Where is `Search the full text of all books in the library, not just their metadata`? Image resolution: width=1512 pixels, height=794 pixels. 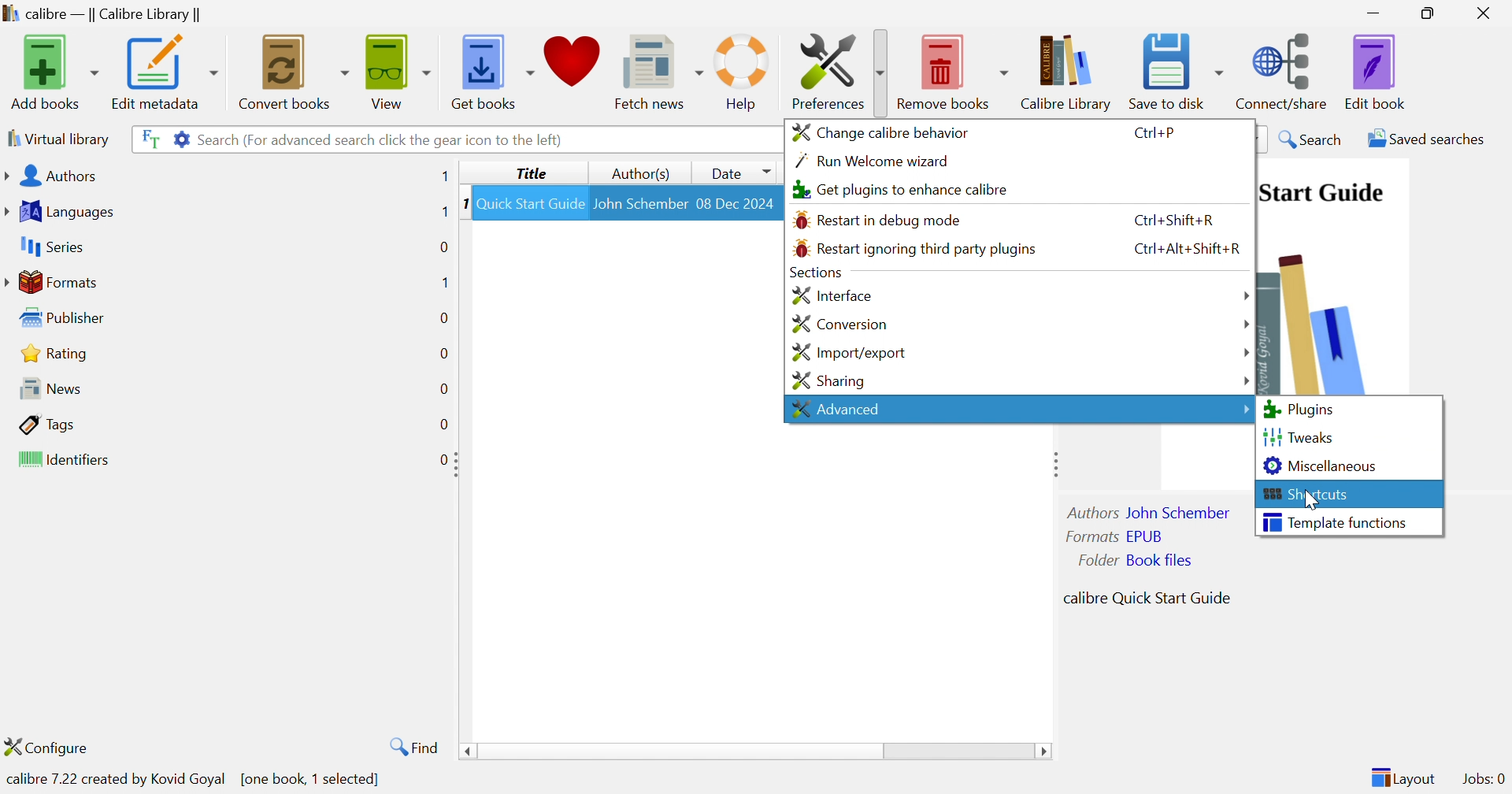 Search the full text of all books in the library, not just their metadata is located at coordinates (147, 138).